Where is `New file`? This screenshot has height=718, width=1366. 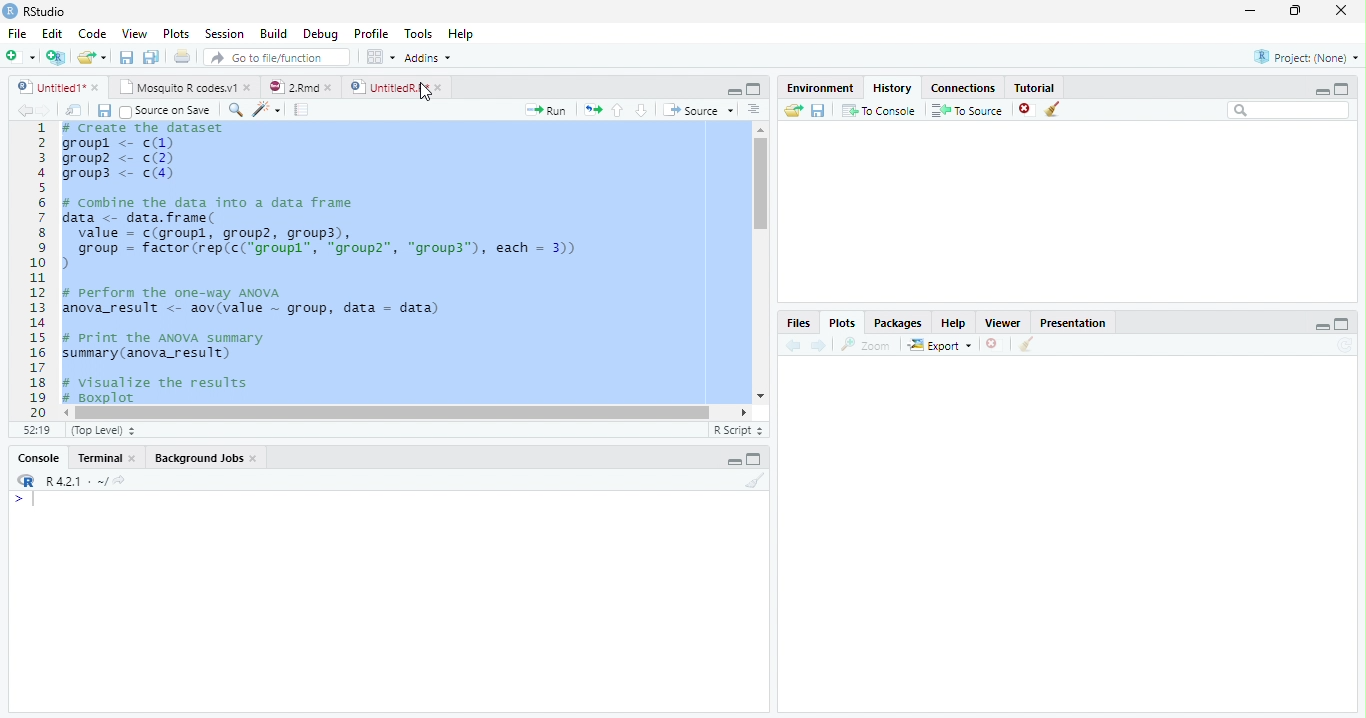 New file is located at coordinates (19, 56).